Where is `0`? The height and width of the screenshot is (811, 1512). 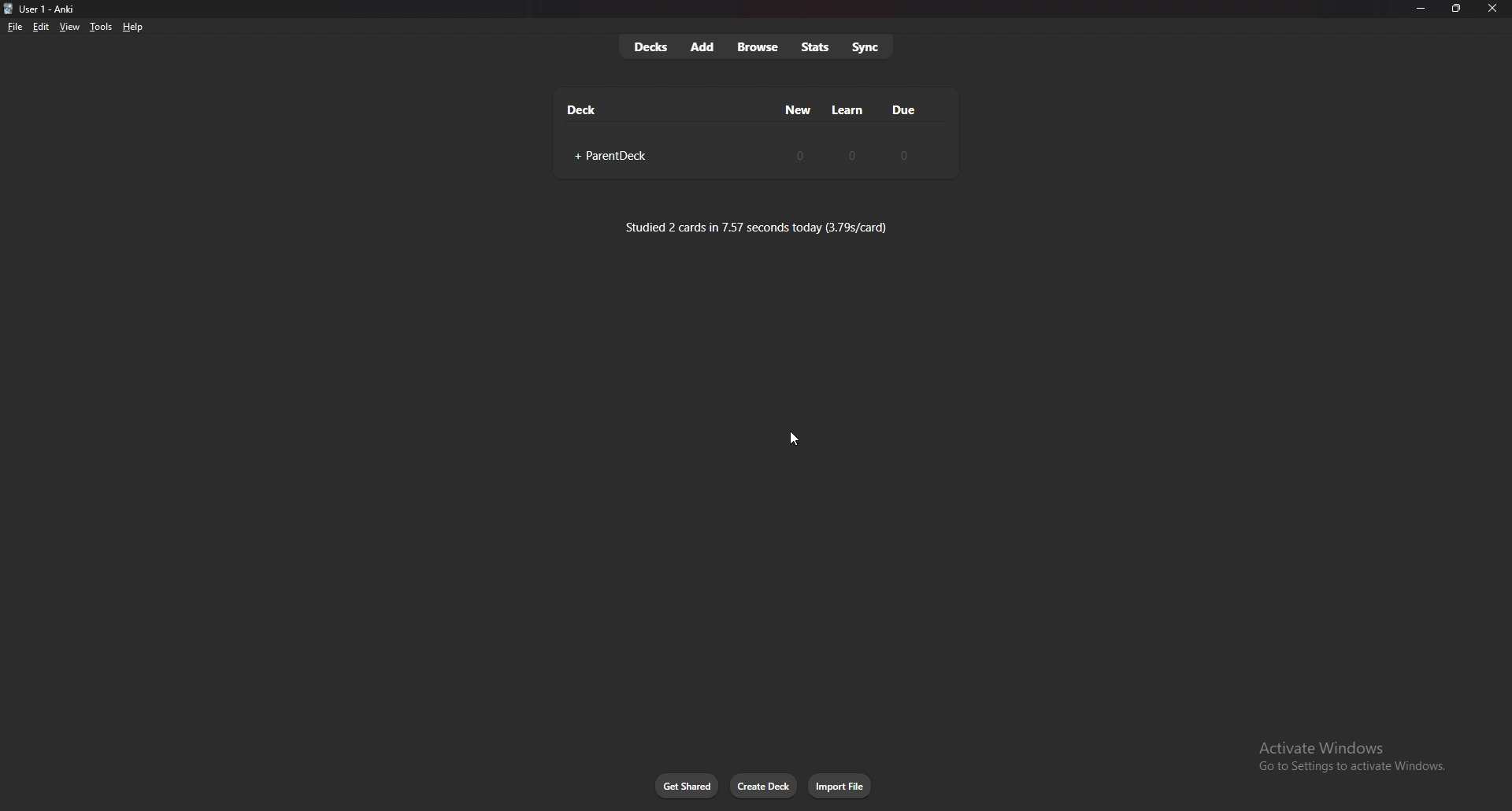 0 is located at coordinates (853, 154).